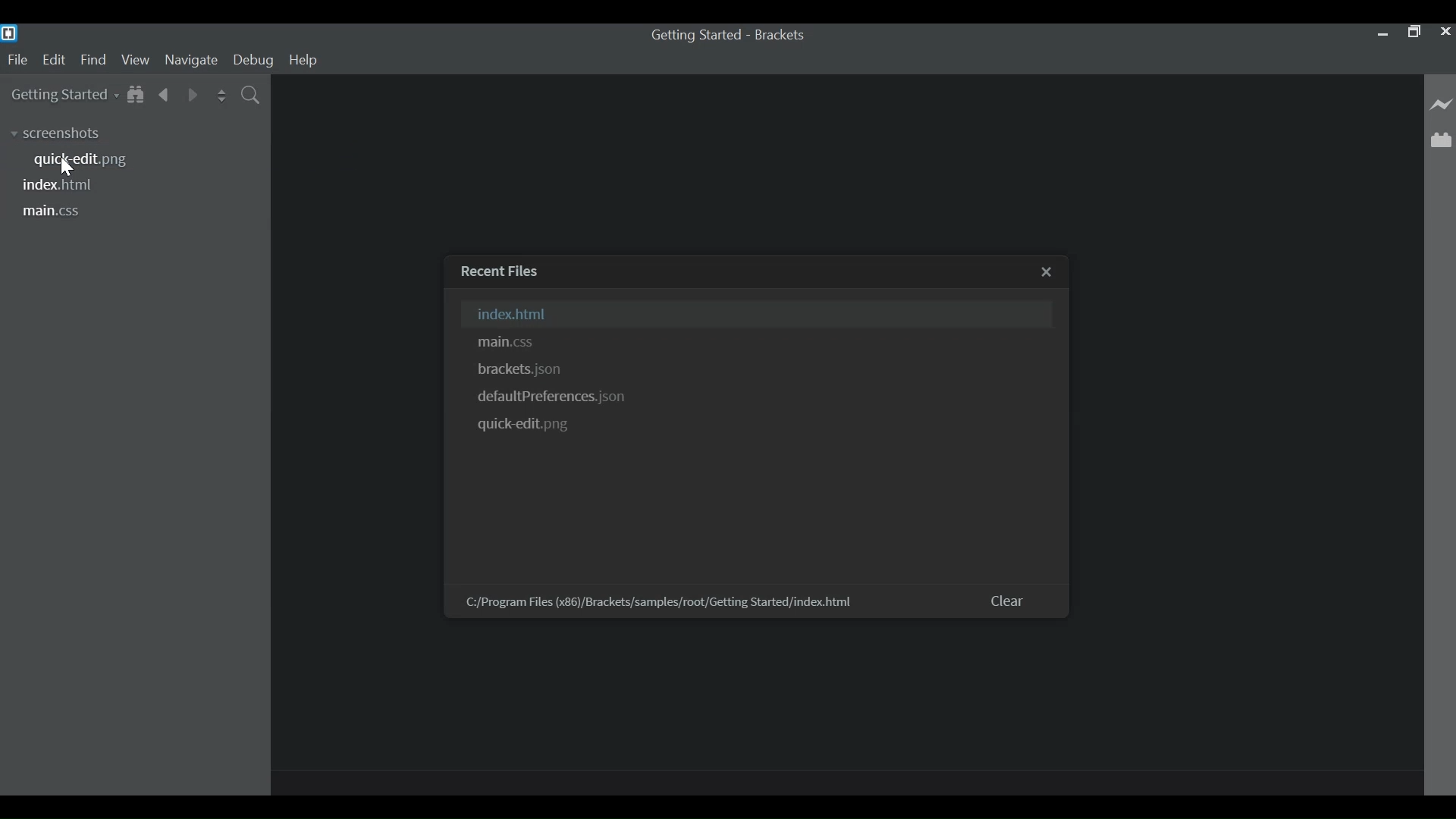 The height and width of the screenshot is (819, 1456). Describe the element at coordinates (1010, 600) in the screenshot. I see `Clear` at that location.